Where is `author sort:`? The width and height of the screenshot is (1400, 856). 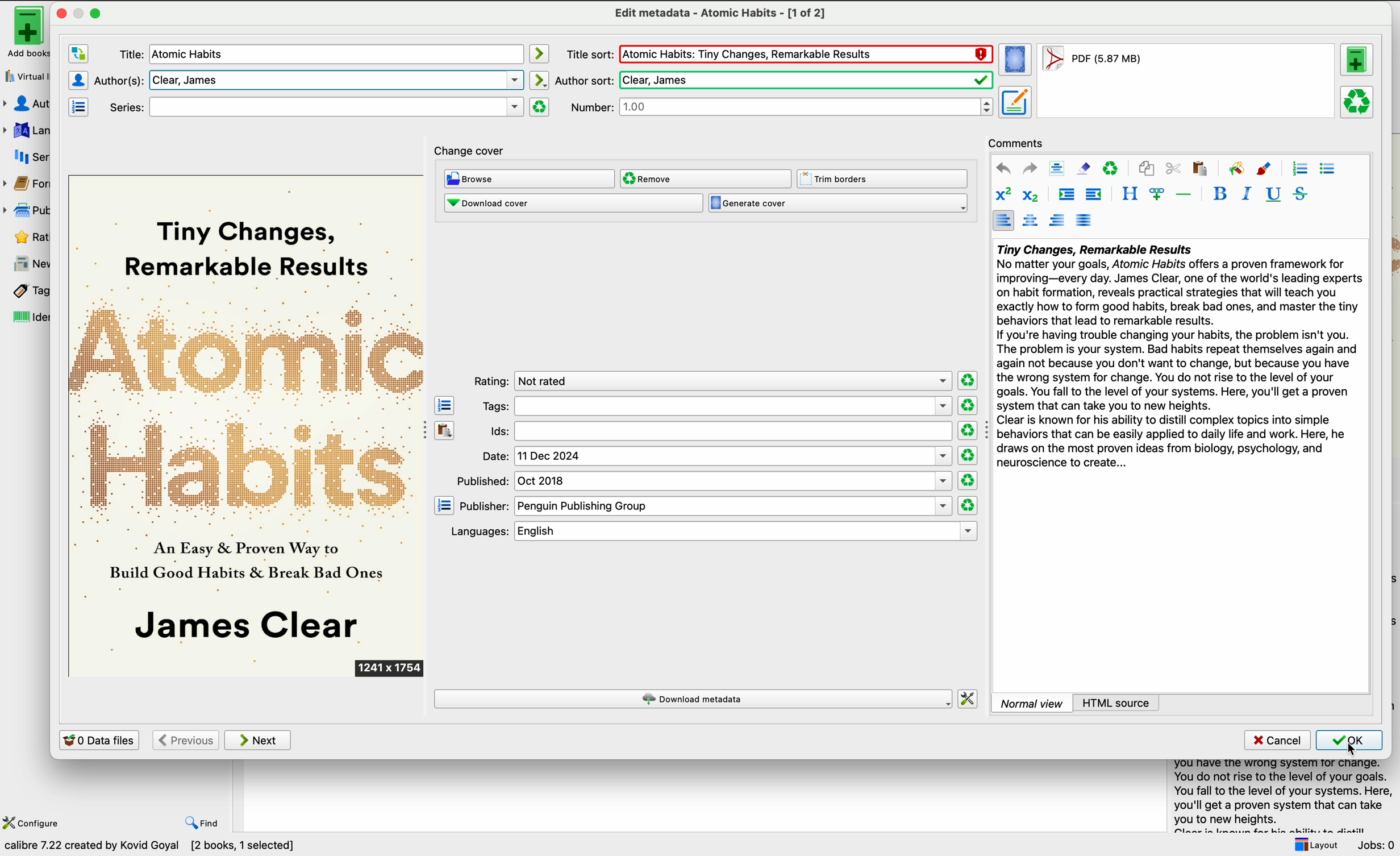 author sort: is located at coordinates (584, 79).